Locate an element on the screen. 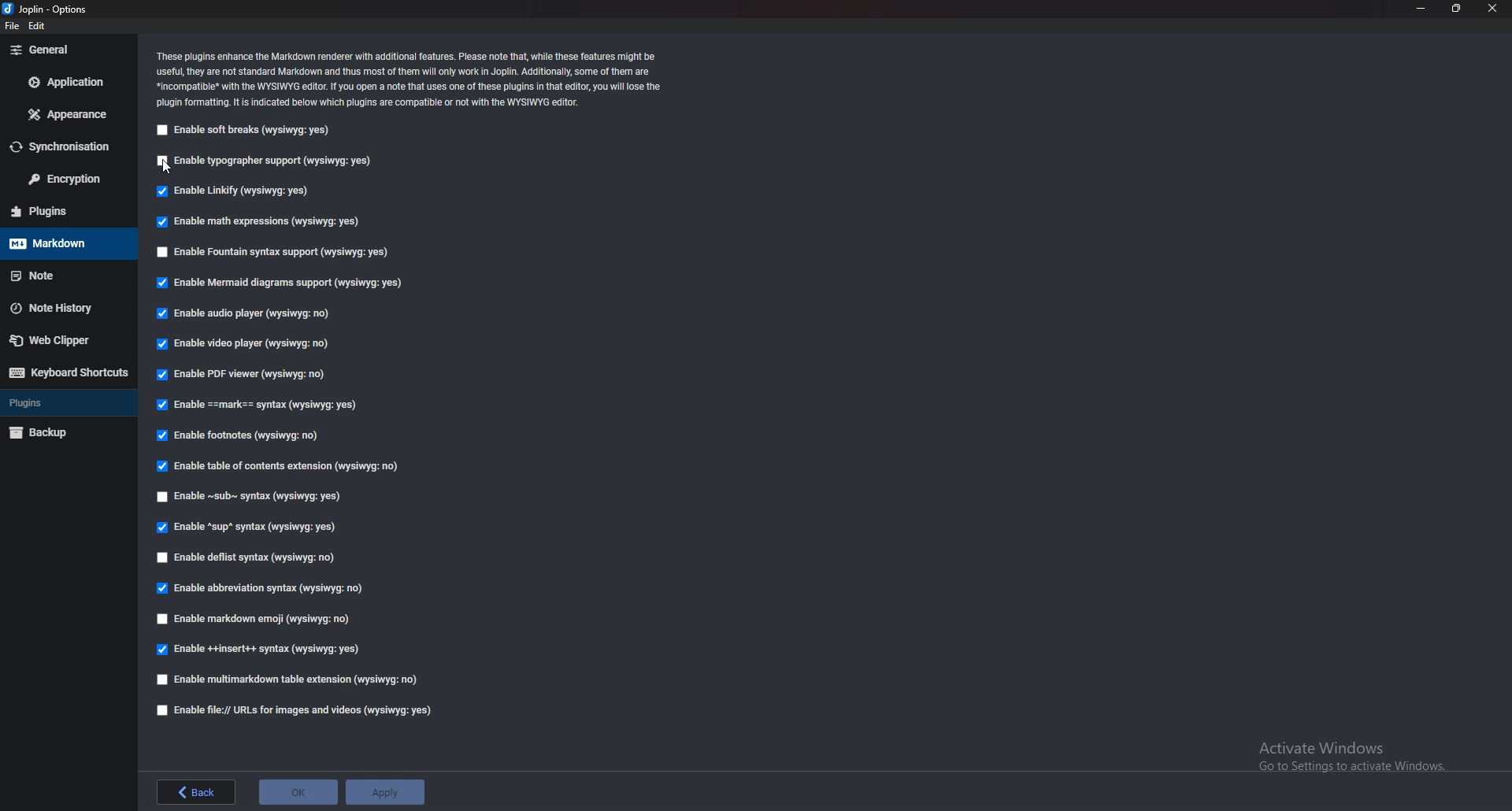 This screenshot has height=811, width=1512. Enable sub syntax is located at coordinates (256, 495).